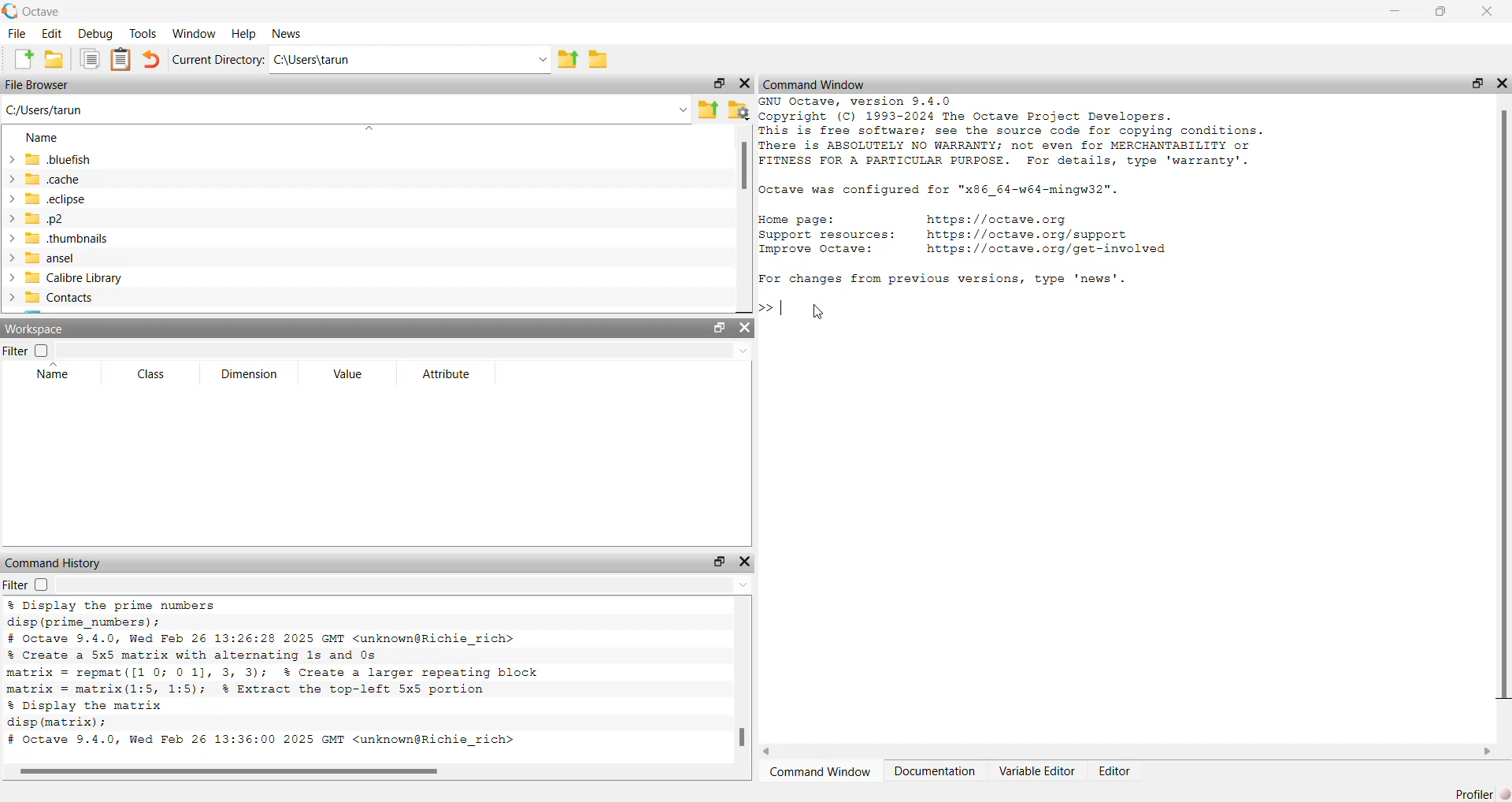  What do you see at coordinates (30, 350) in the screenshot?
I see `filter` at bounding box center [30, 350].